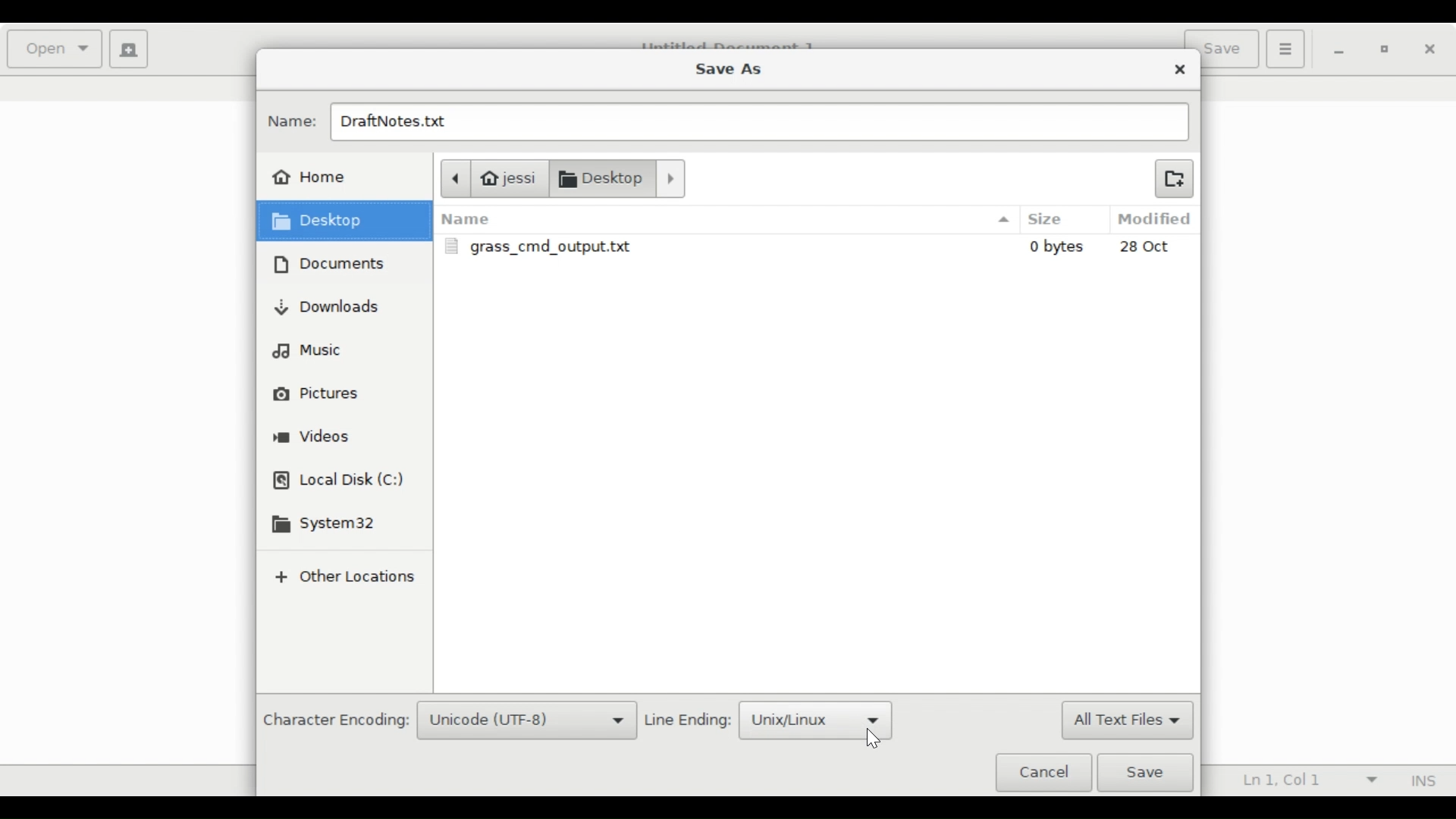 The image size is (1456, 819). Describe the element at coordinates (527, 721) in the screenshot. I see `Unicode (UTF-8)` at that location.